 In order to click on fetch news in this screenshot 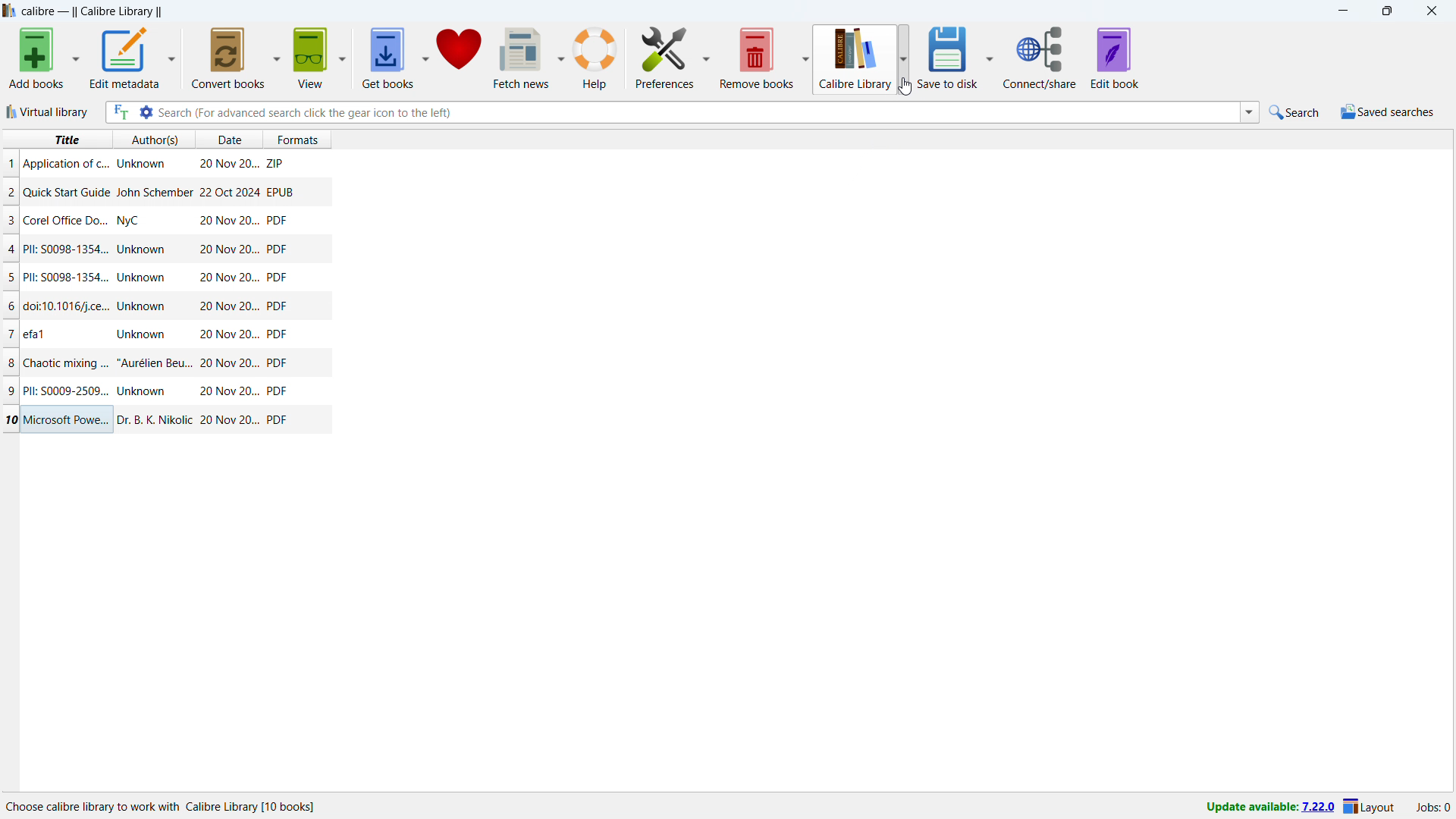, I will do `click(523, 57)`.